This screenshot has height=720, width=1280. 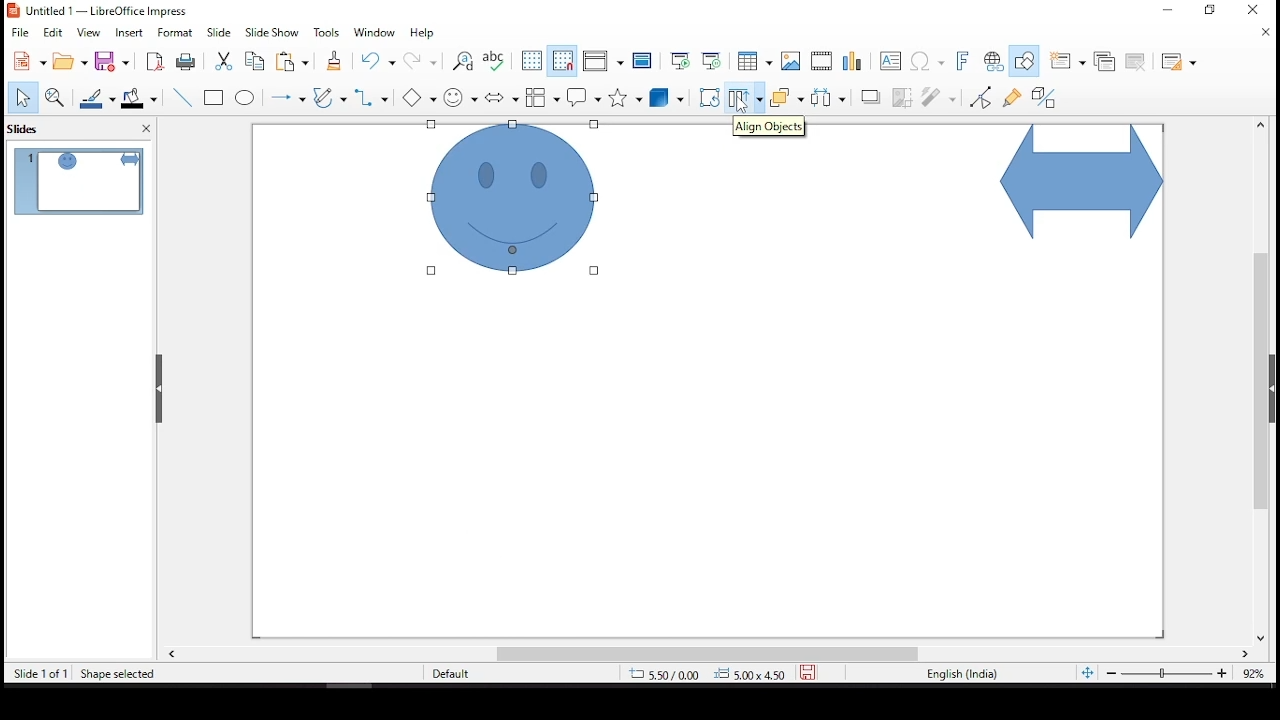 What do you see at coordinates (677, 59) in the screenshot?
I see `start from first slide` at bounding box center [677, 59].